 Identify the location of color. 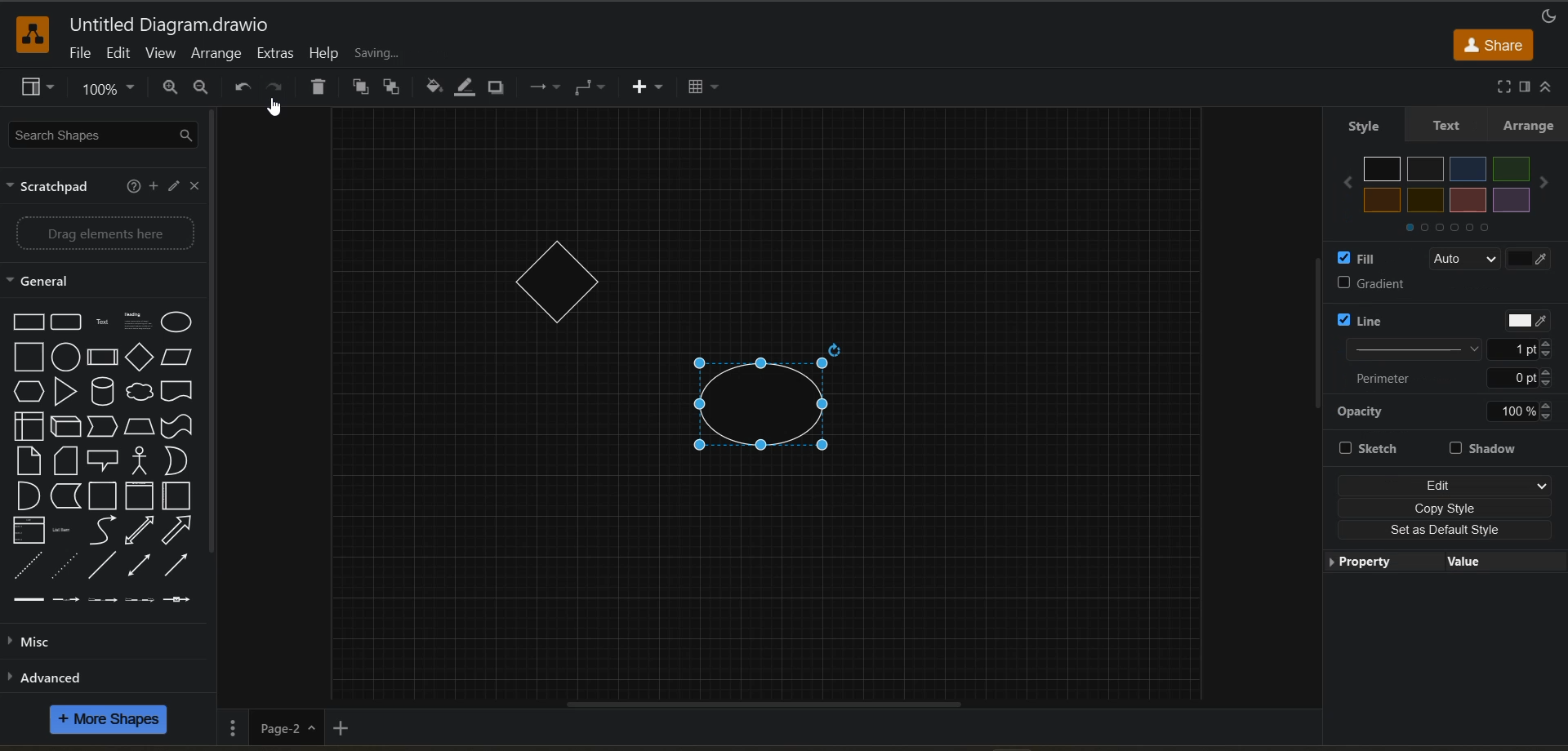
(1448, 184).